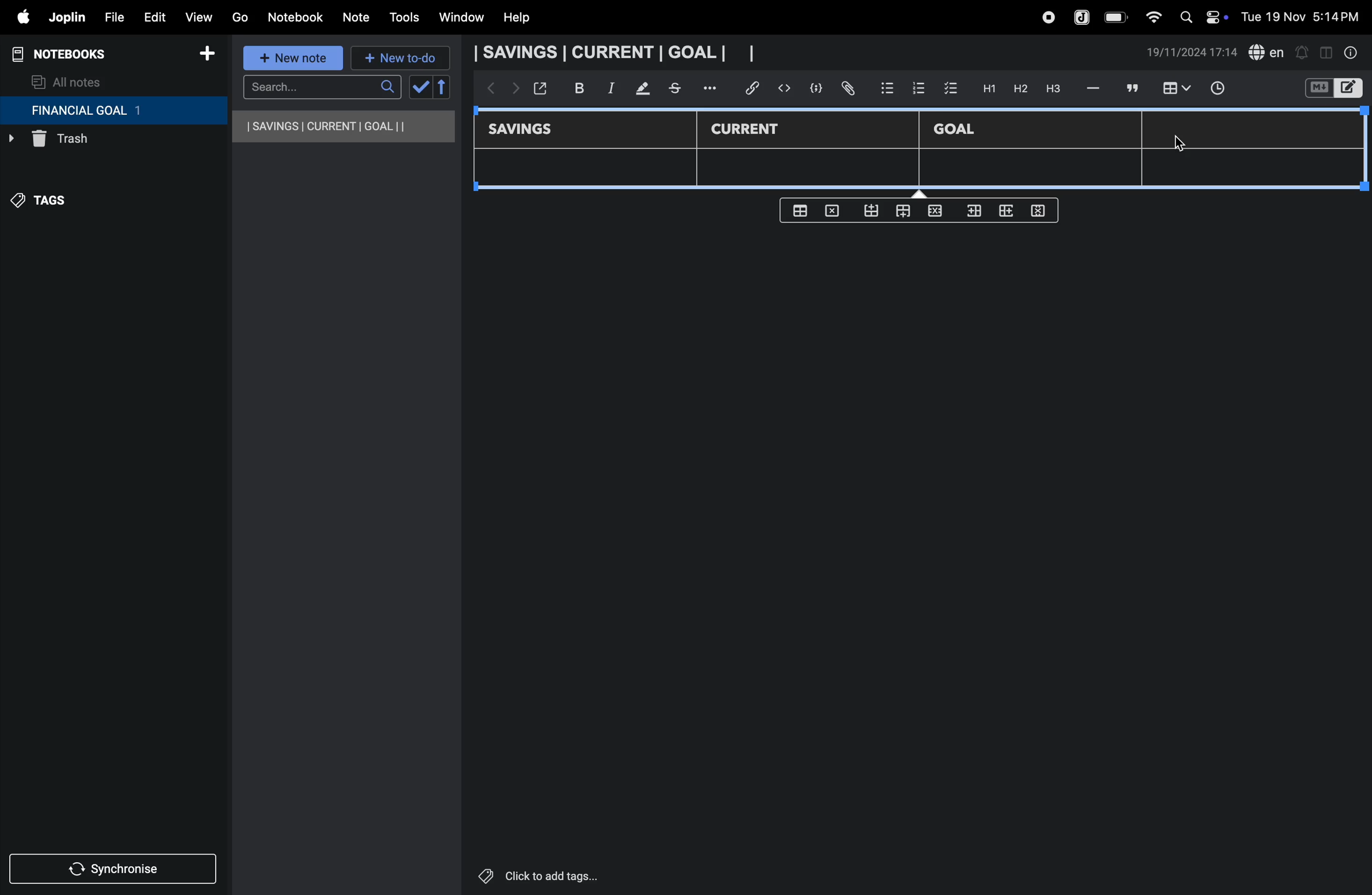 Image resolution: width=1372 pixels, height=895 pixels. I want to click on synchronize, so click(114, 867).